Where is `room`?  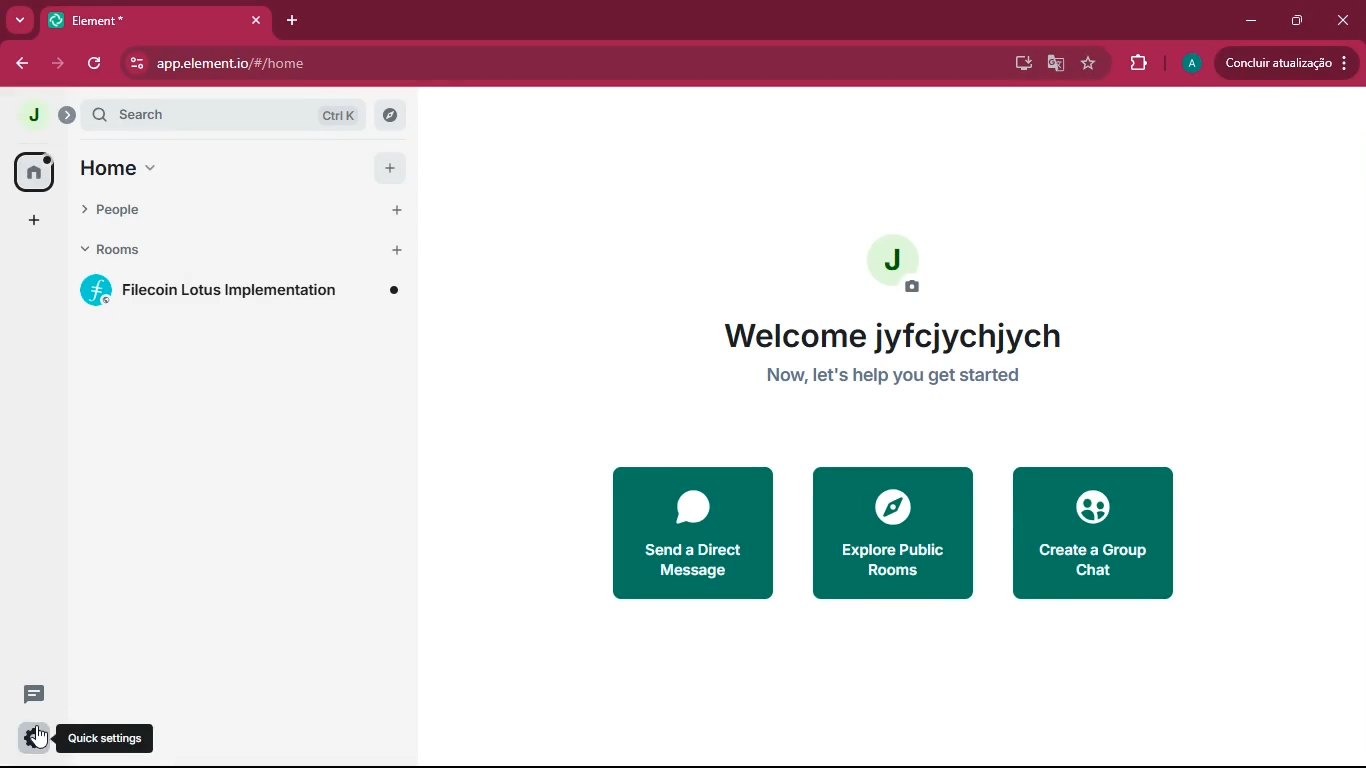 room is located at coordinates (239, 292).